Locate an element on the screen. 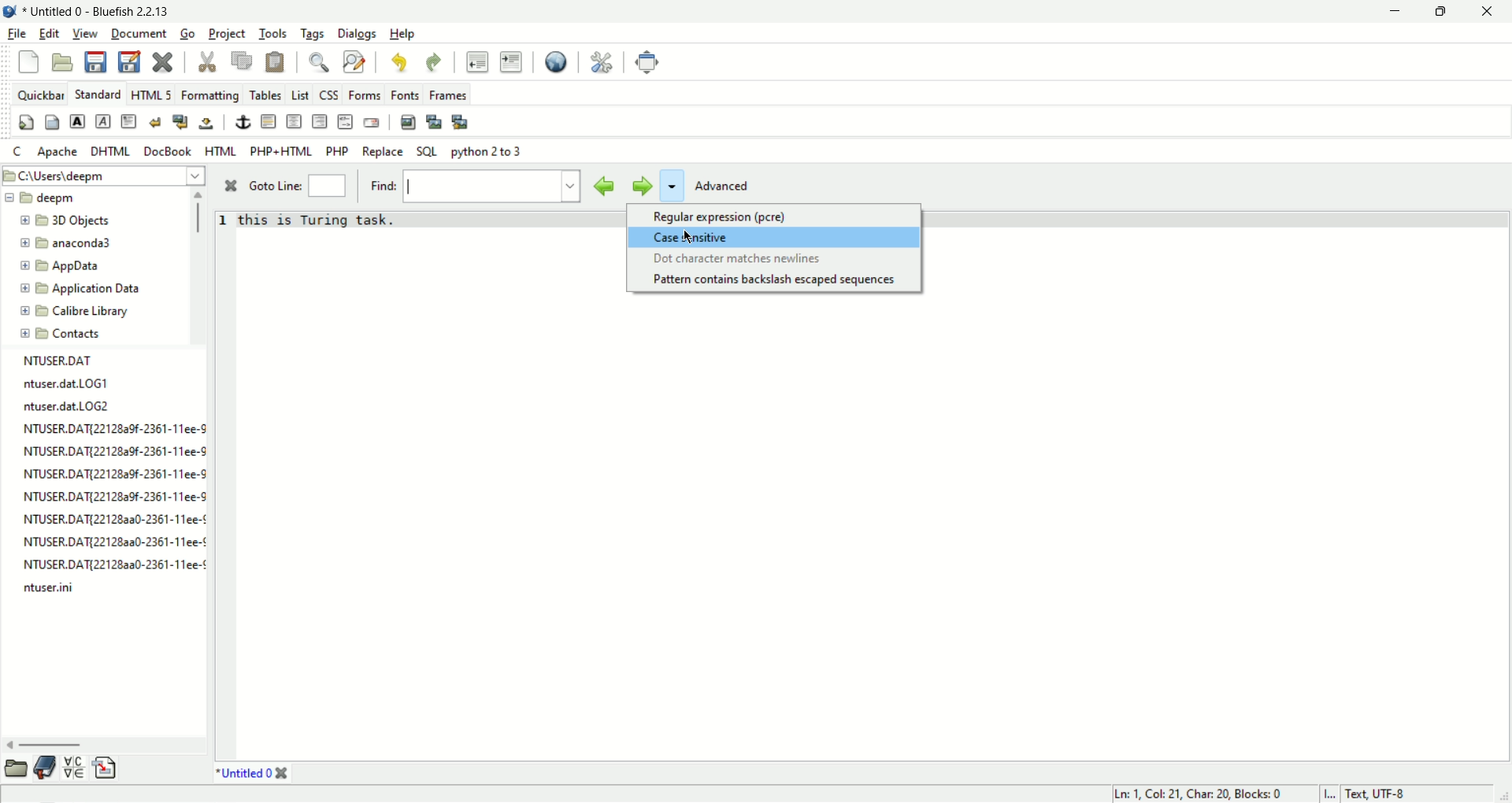 This screenshot has width=1512, height=803. Calibre Library is located at coordinates (83, 310).